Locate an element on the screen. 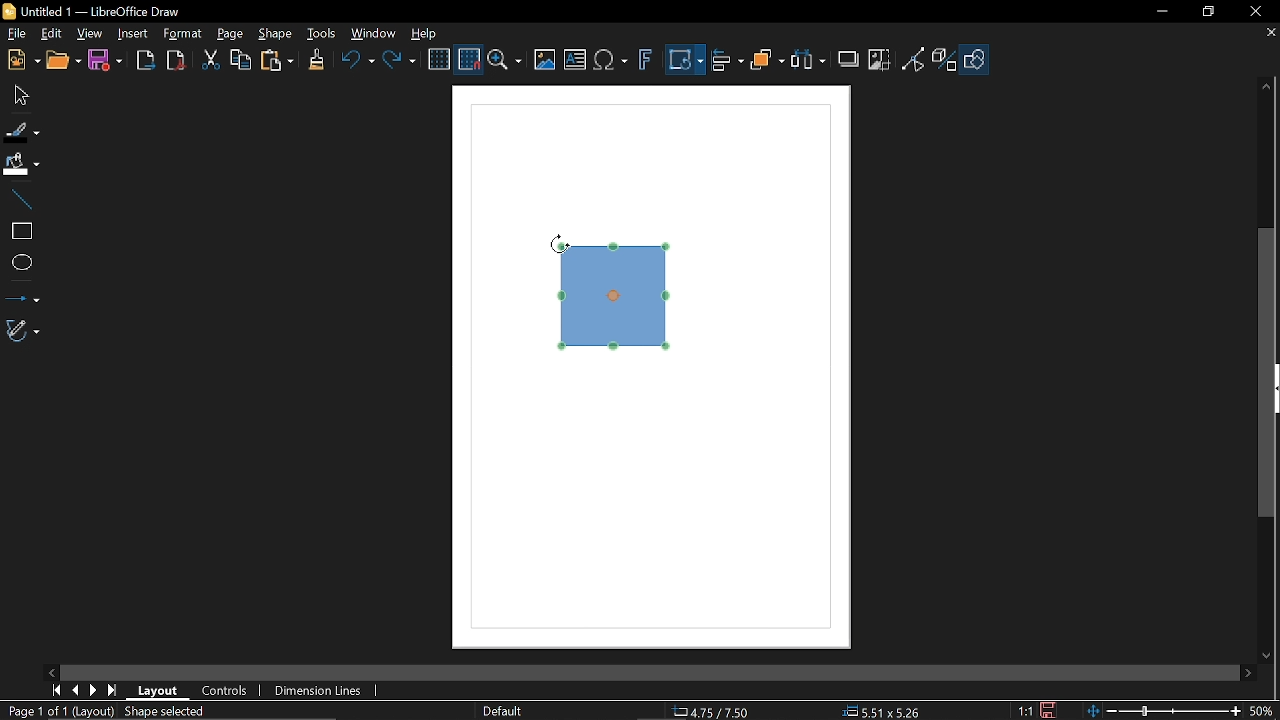  Toggle  is located at coordinates (914, 59).